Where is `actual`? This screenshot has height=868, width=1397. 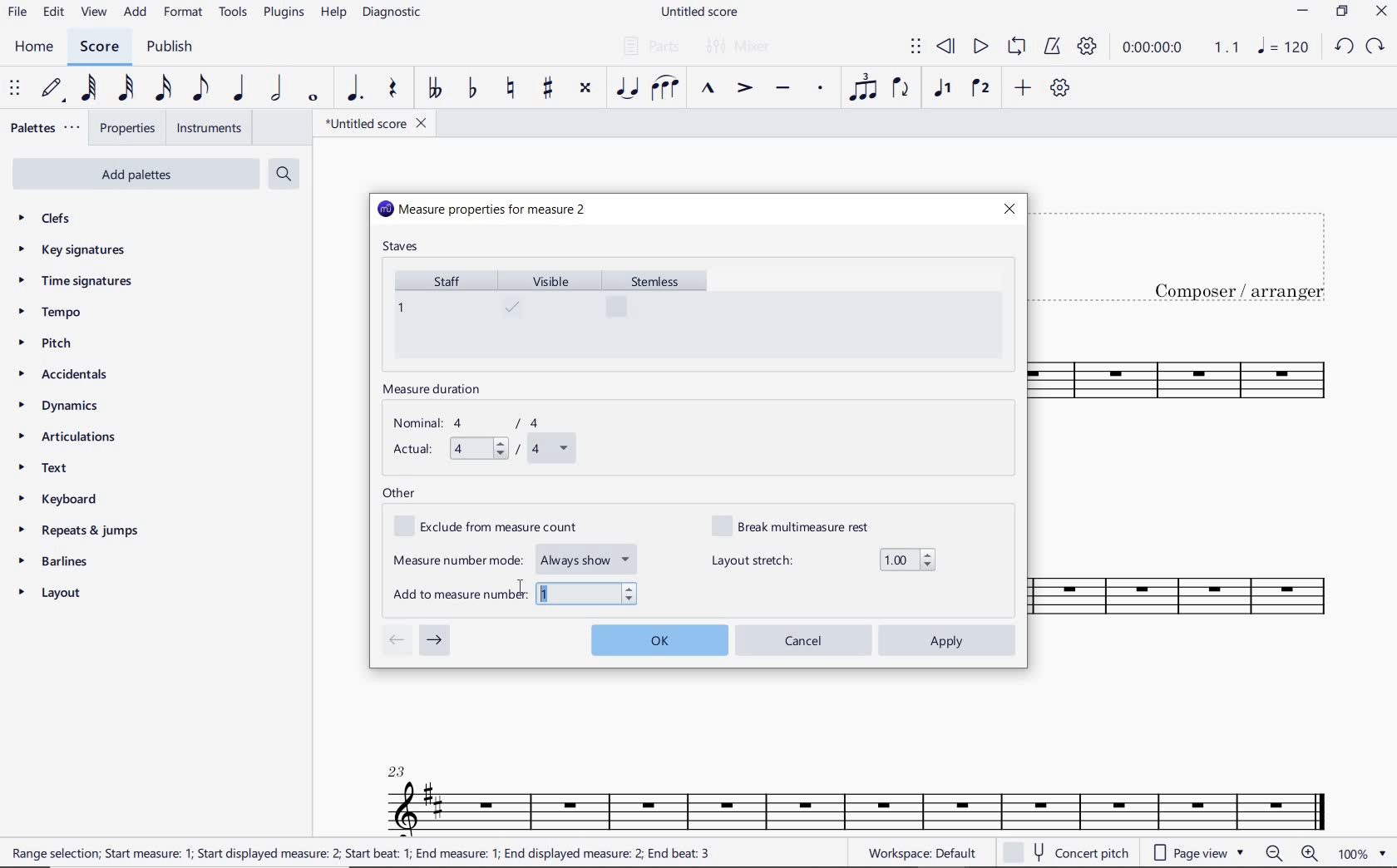
actual is located at coordinates (481, 450).